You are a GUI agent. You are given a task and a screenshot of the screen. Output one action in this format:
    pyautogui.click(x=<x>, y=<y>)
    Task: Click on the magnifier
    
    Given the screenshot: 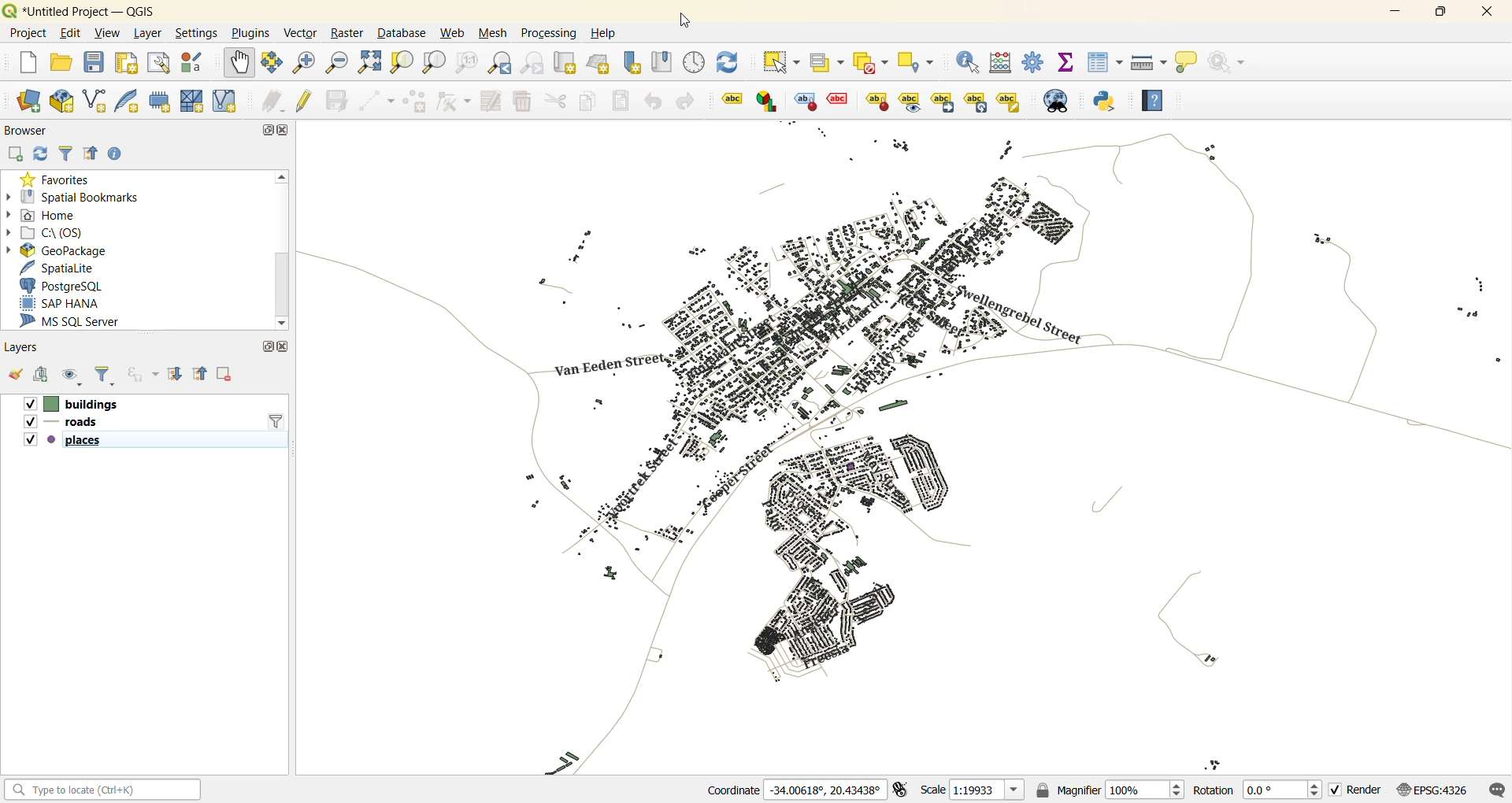 What is the action you would take?
    pyautogui.click(x=1110, y=788)
    